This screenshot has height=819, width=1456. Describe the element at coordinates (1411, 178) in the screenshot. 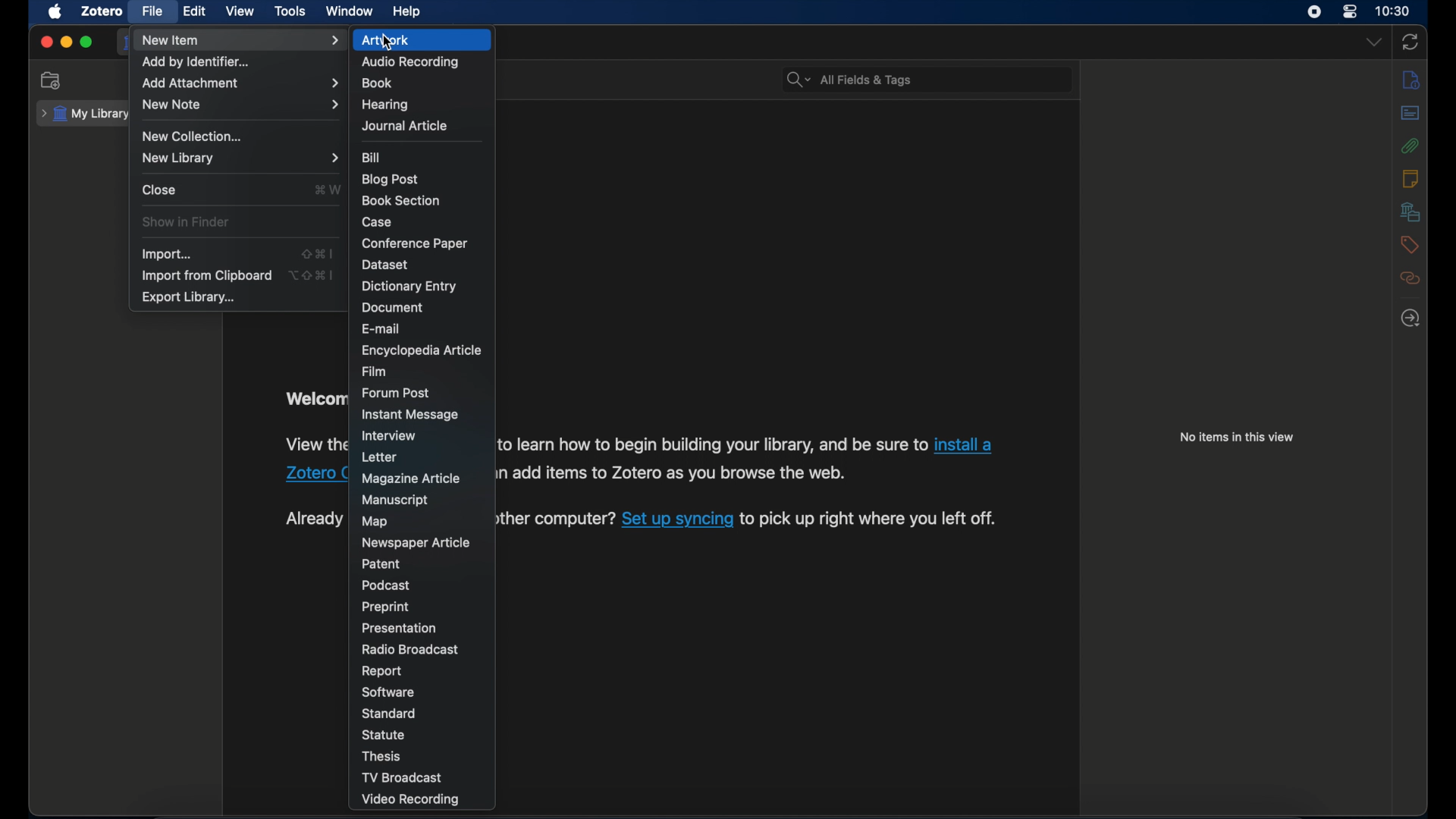

I see `notes` at that location.